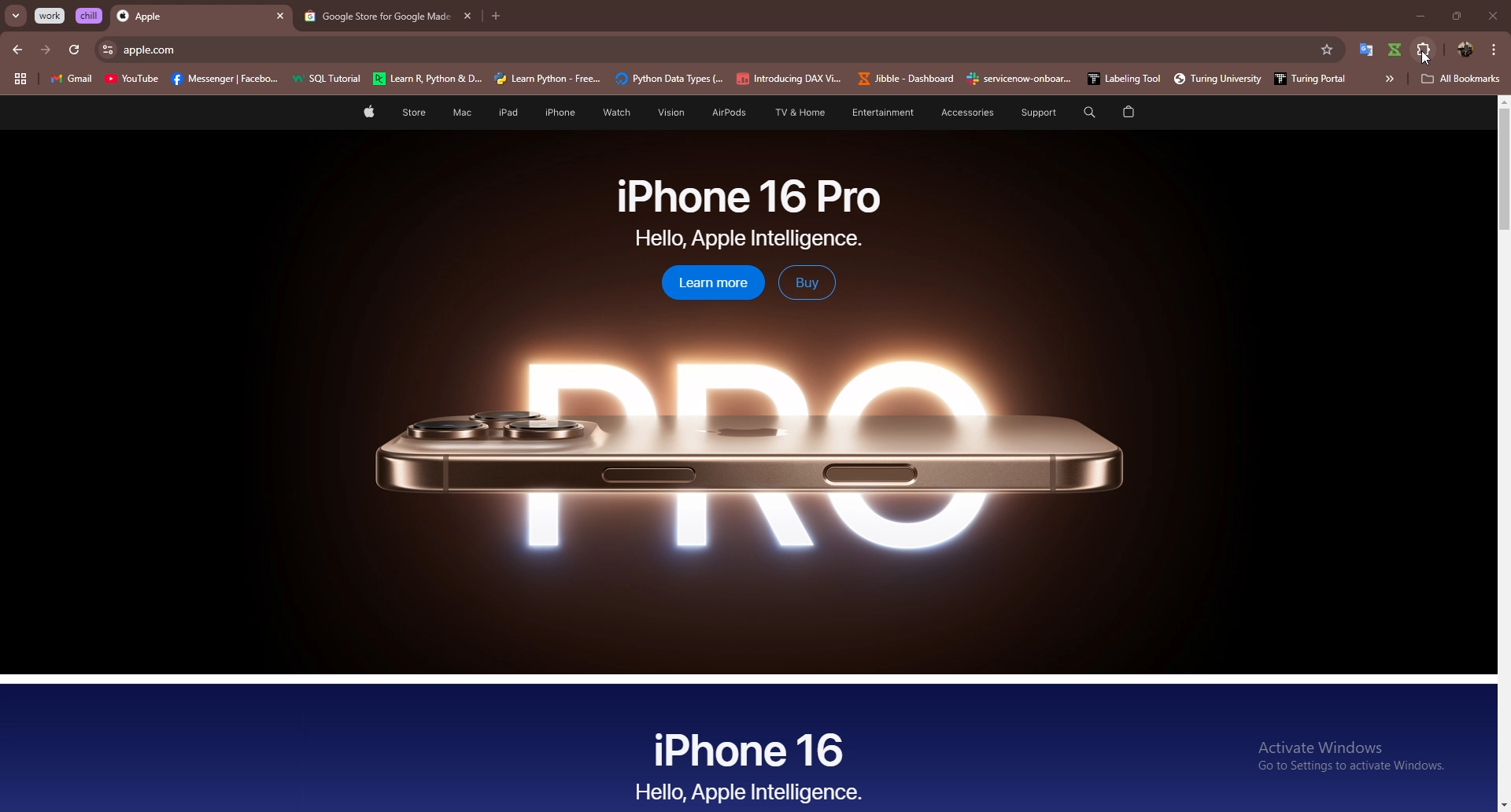  I want to click on Apple page, so click(368, 114).